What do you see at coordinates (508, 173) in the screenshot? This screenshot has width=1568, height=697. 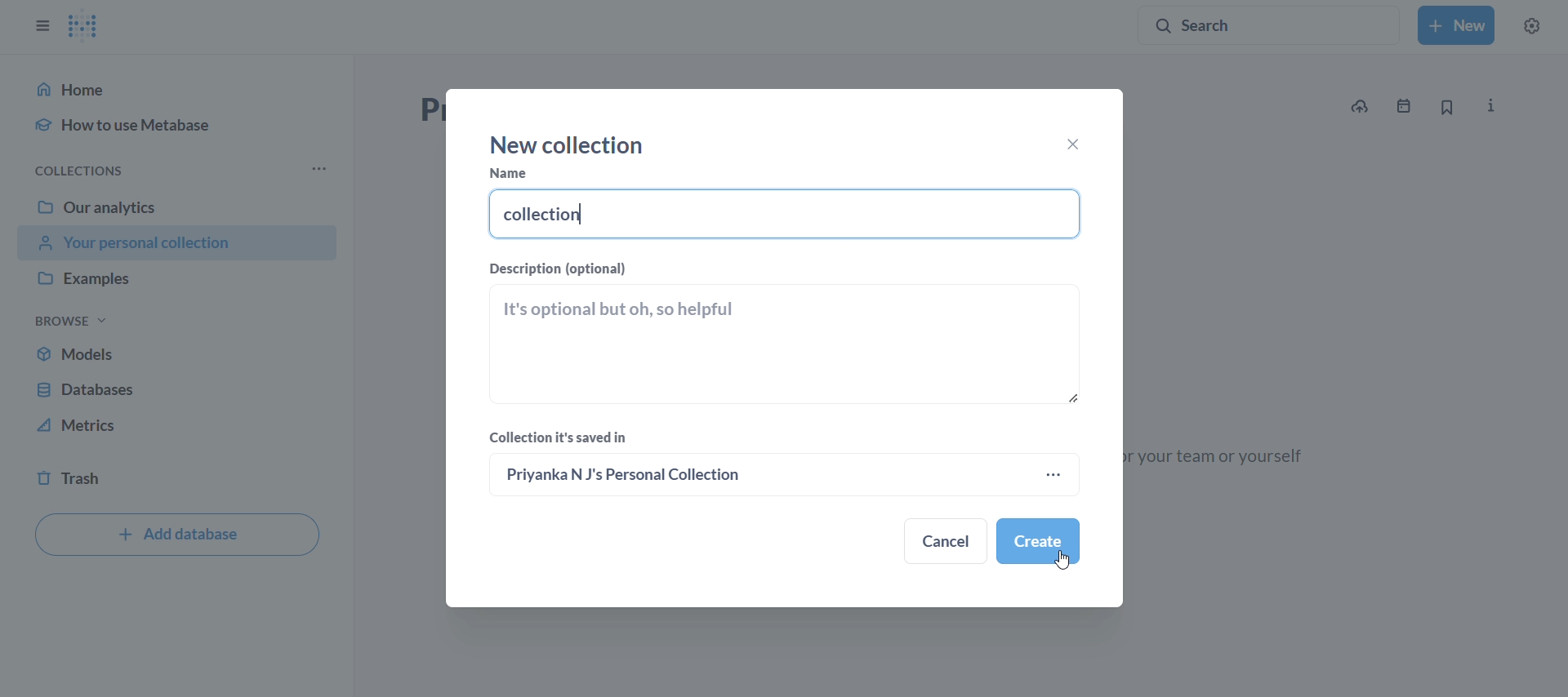 I see `name` at bounding box center [508, 173].